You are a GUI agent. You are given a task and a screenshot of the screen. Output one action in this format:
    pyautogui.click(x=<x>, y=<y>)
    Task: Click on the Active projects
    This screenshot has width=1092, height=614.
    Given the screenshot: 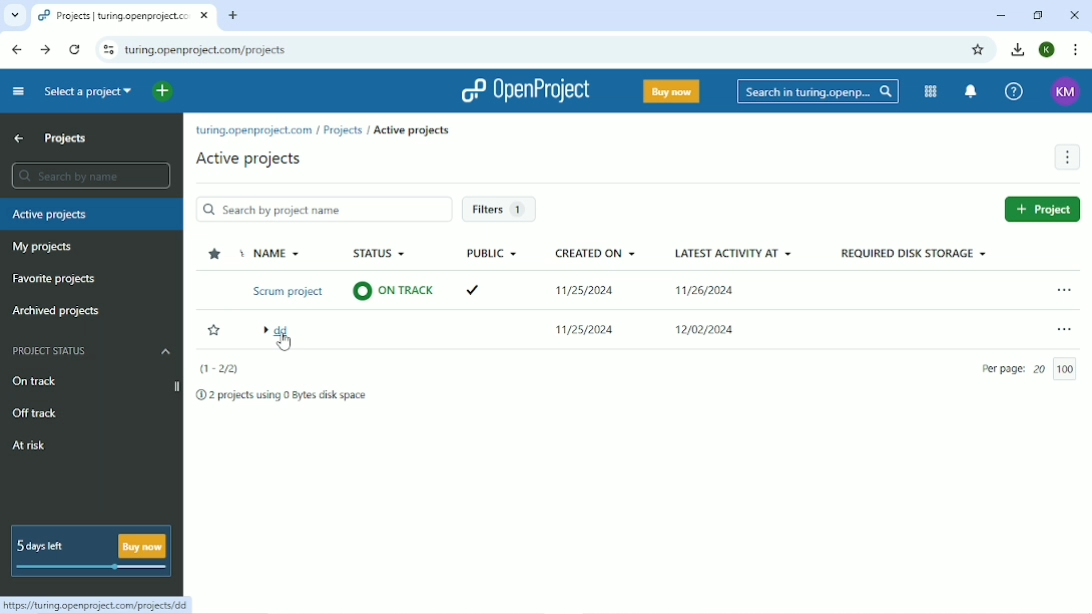 What is the action you would take?
    pyautogui.click(x=412, y=130)
    